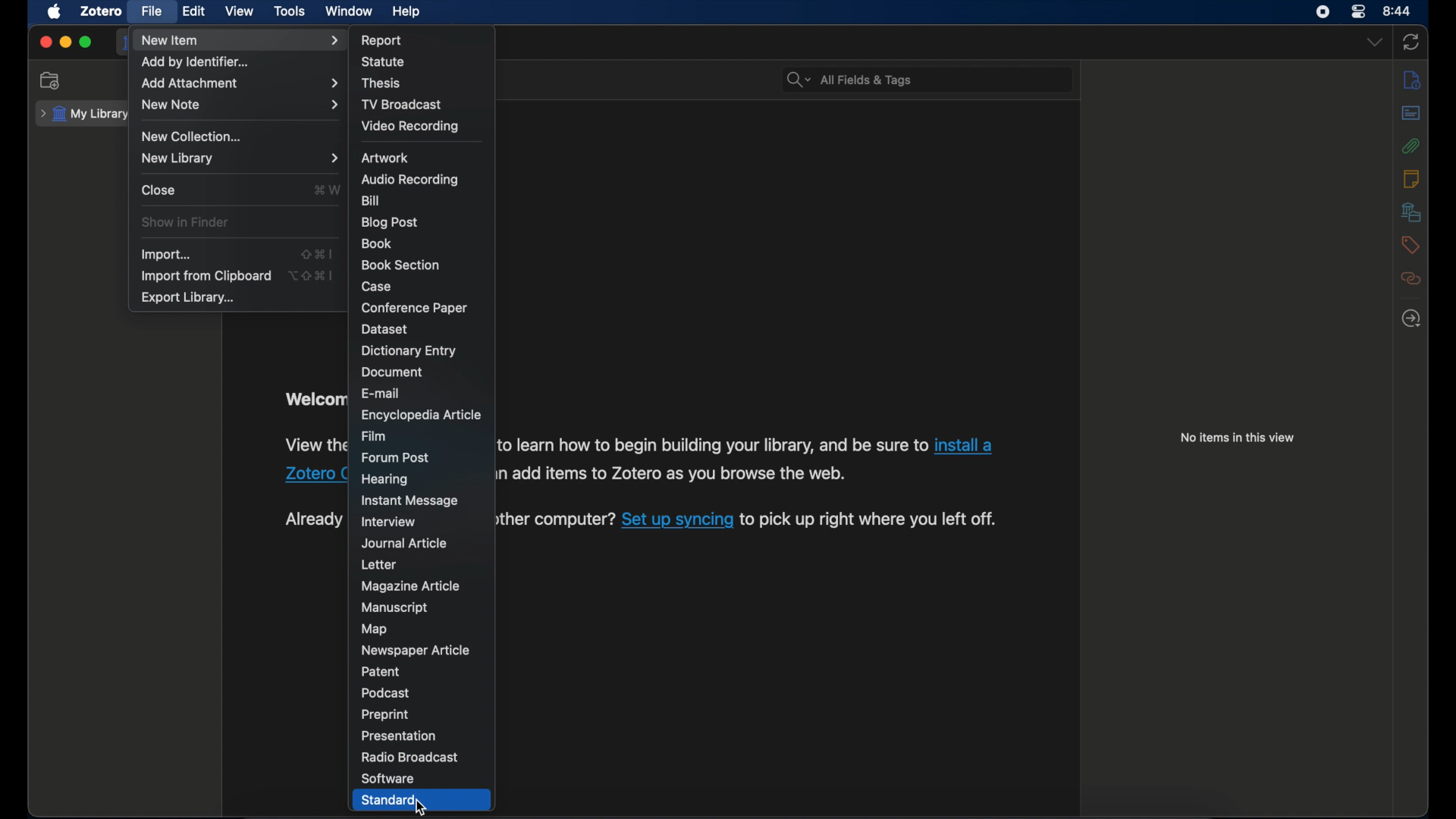 The height and width of the screenshot is (819, 1456). What do you see at coordinates (411, 757) in the screenshot?
I see `radio broadcast` at bounding box center [411, 757].